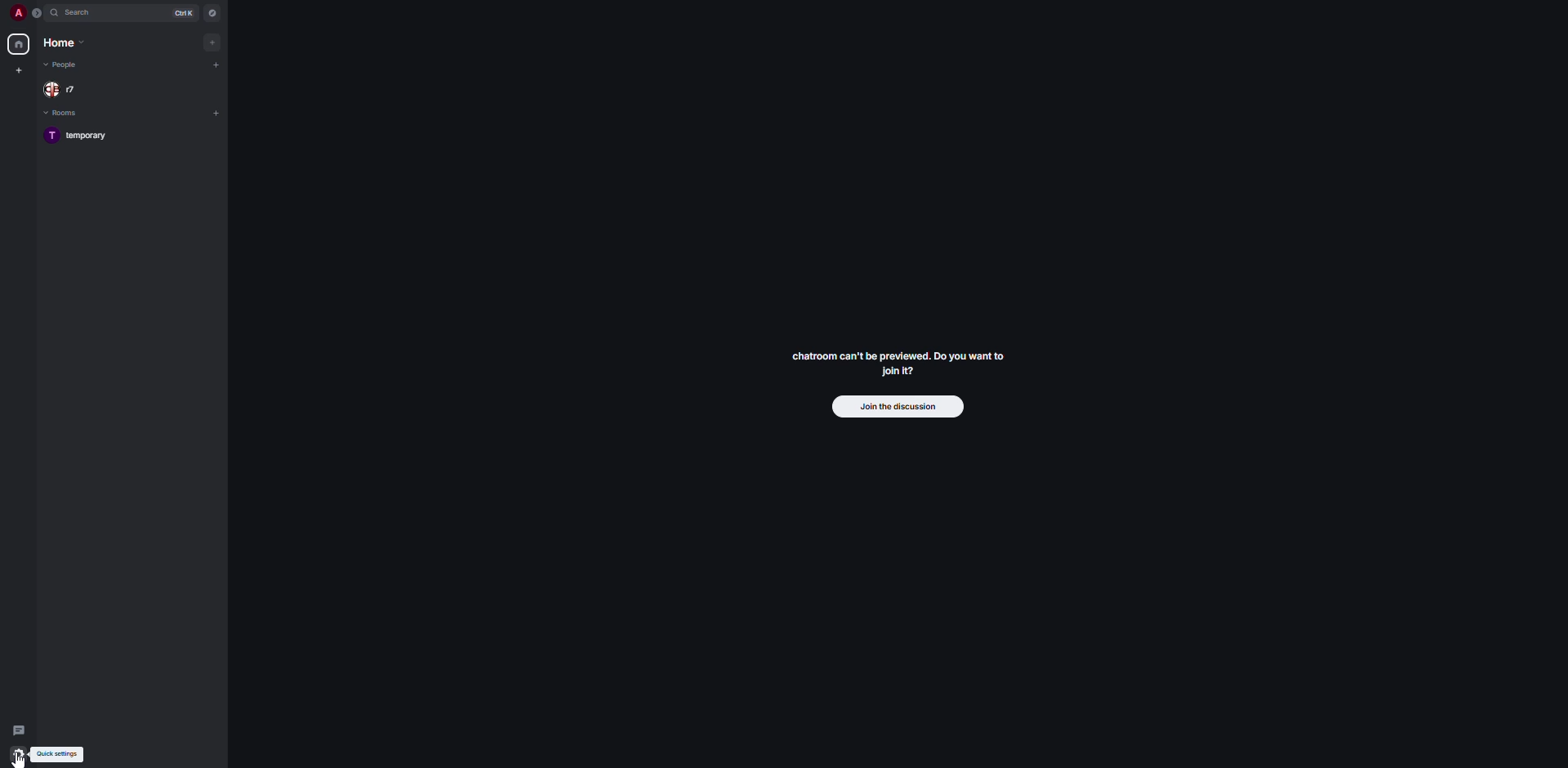  I want to click on quick settings, so click(69, 755).